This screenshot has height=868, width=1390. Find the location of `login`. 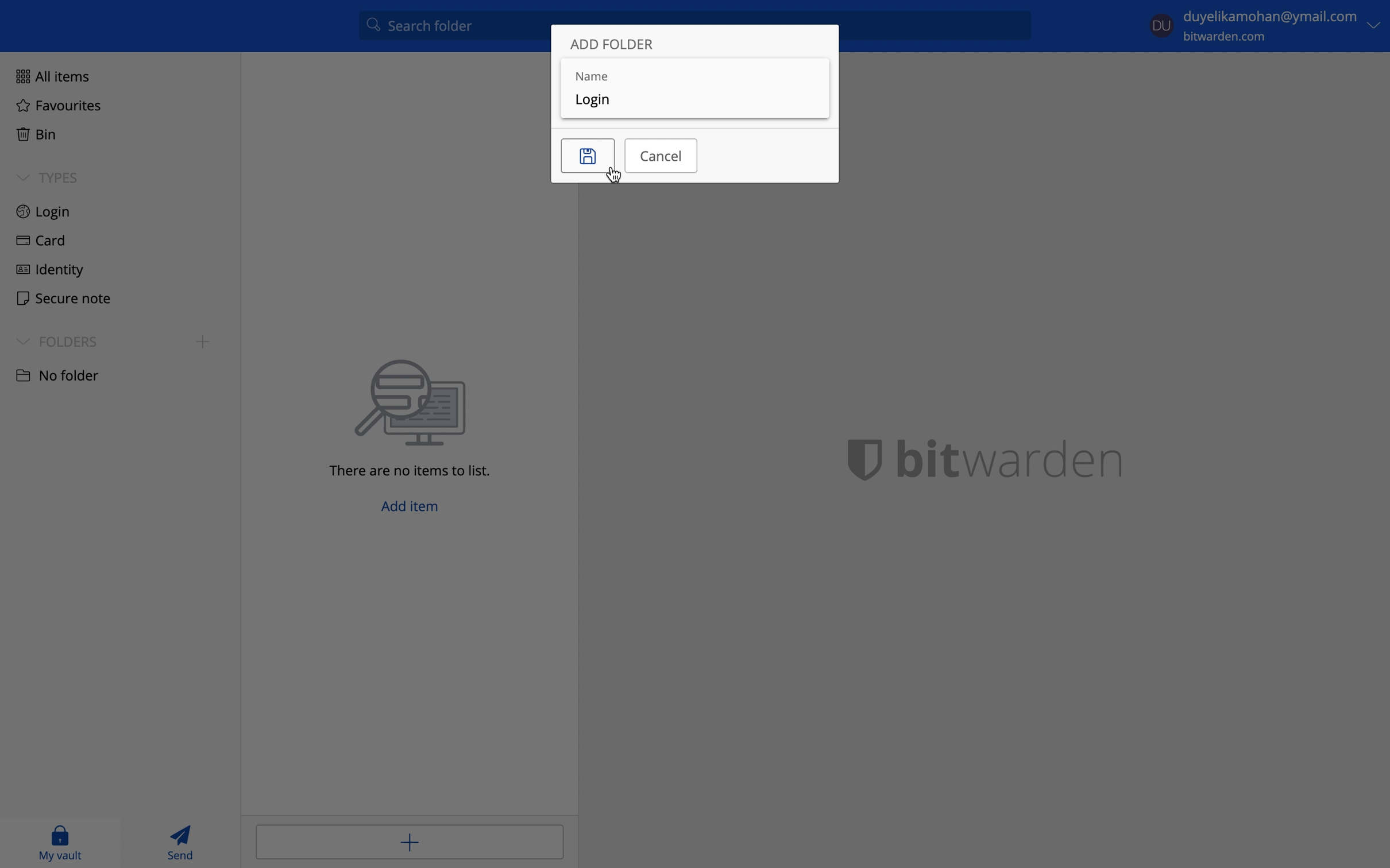

login is located at coordinates (44, 212).